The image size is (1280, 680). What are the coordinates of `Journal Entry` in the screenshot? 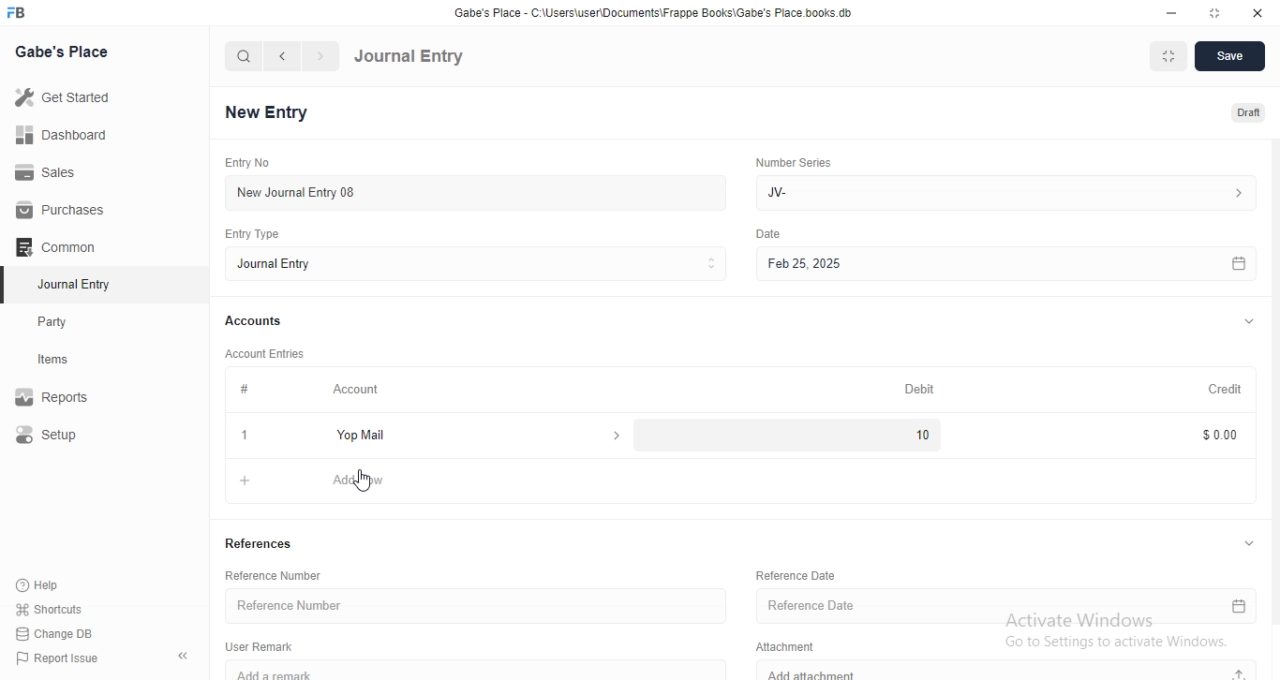 It's located at (71, 284).